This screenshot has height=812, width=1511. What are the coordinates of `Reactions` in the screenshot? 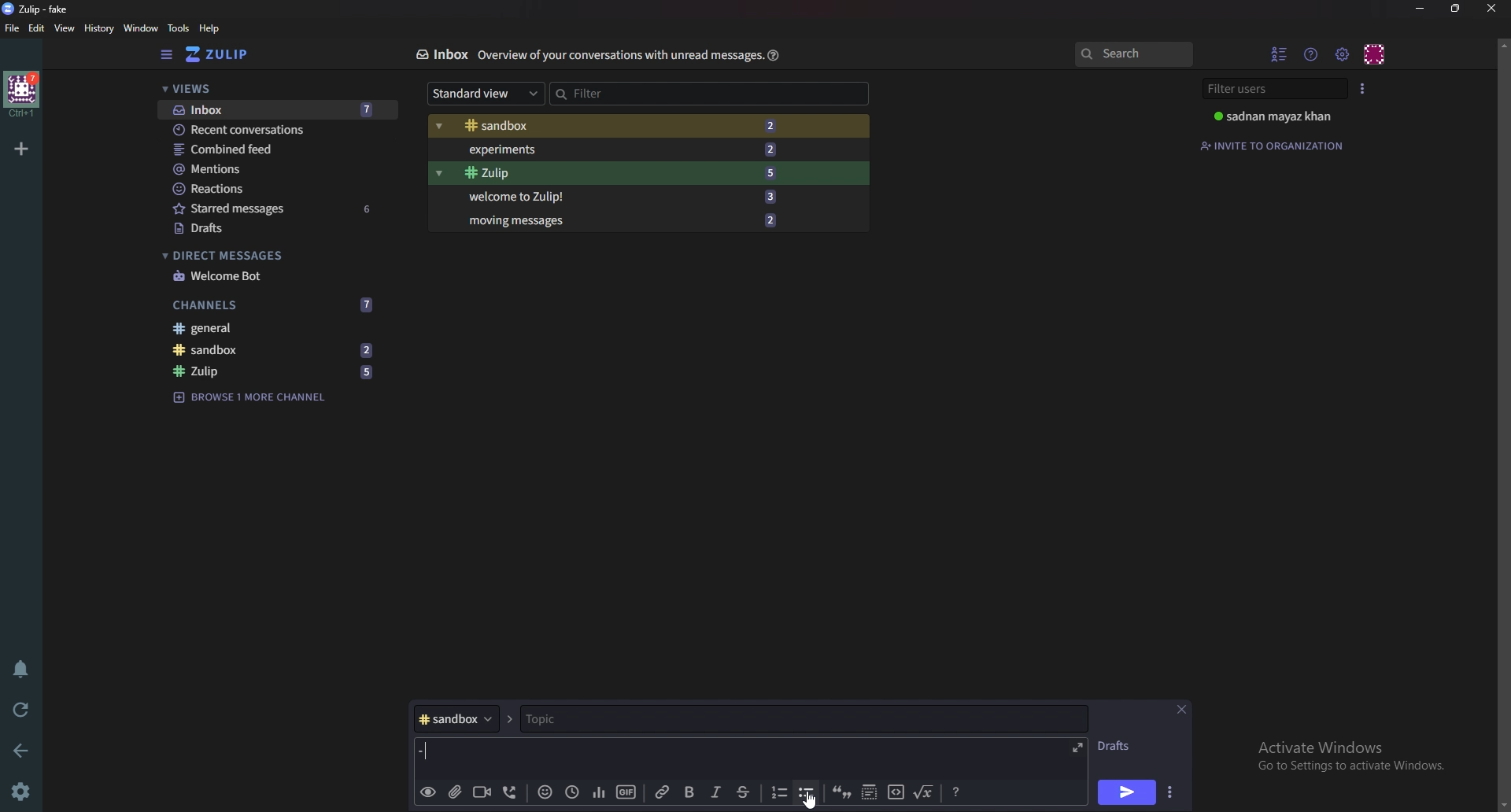 It's located at (276, 189).